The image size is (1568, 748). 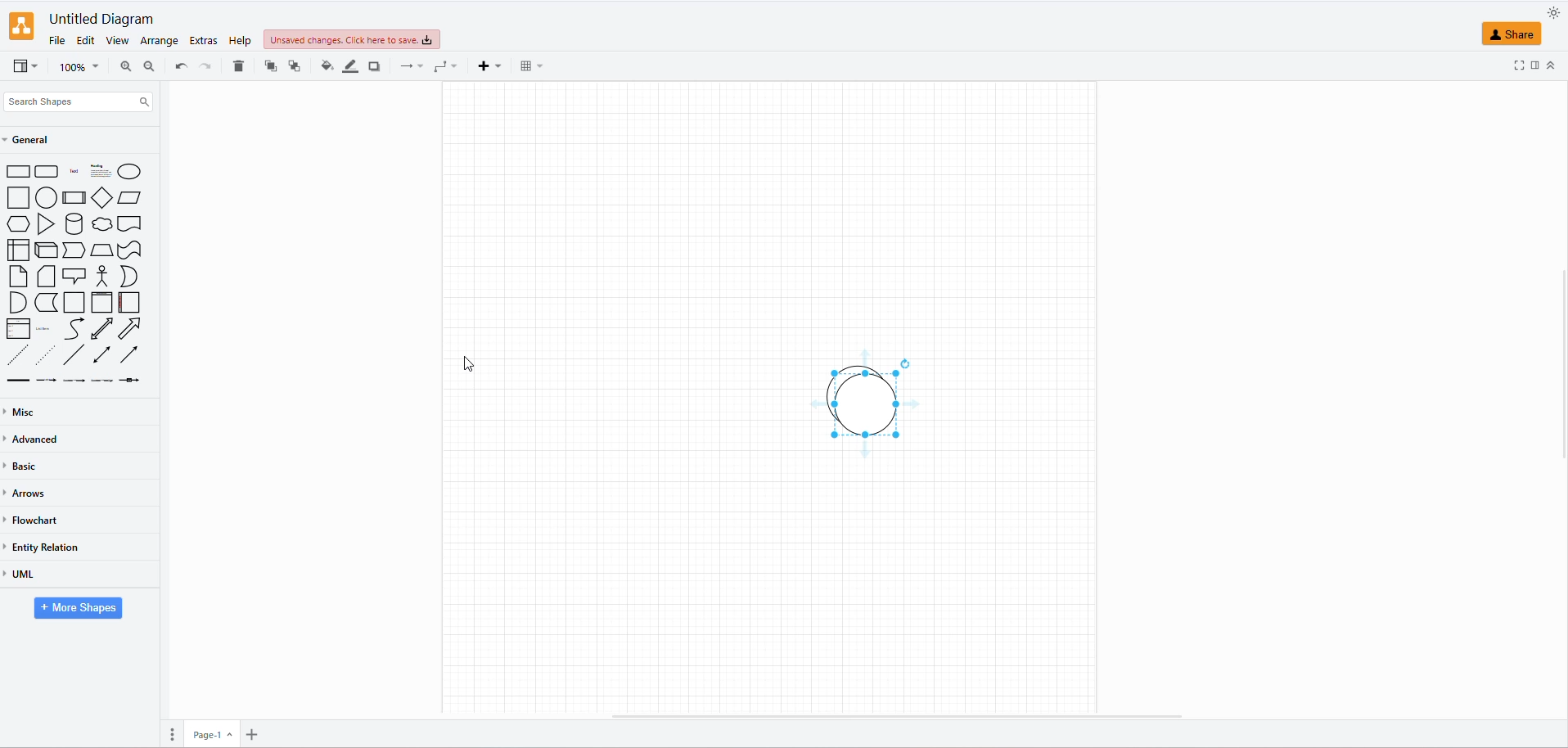 I want to click on LIST, so click(x=19, y=329).